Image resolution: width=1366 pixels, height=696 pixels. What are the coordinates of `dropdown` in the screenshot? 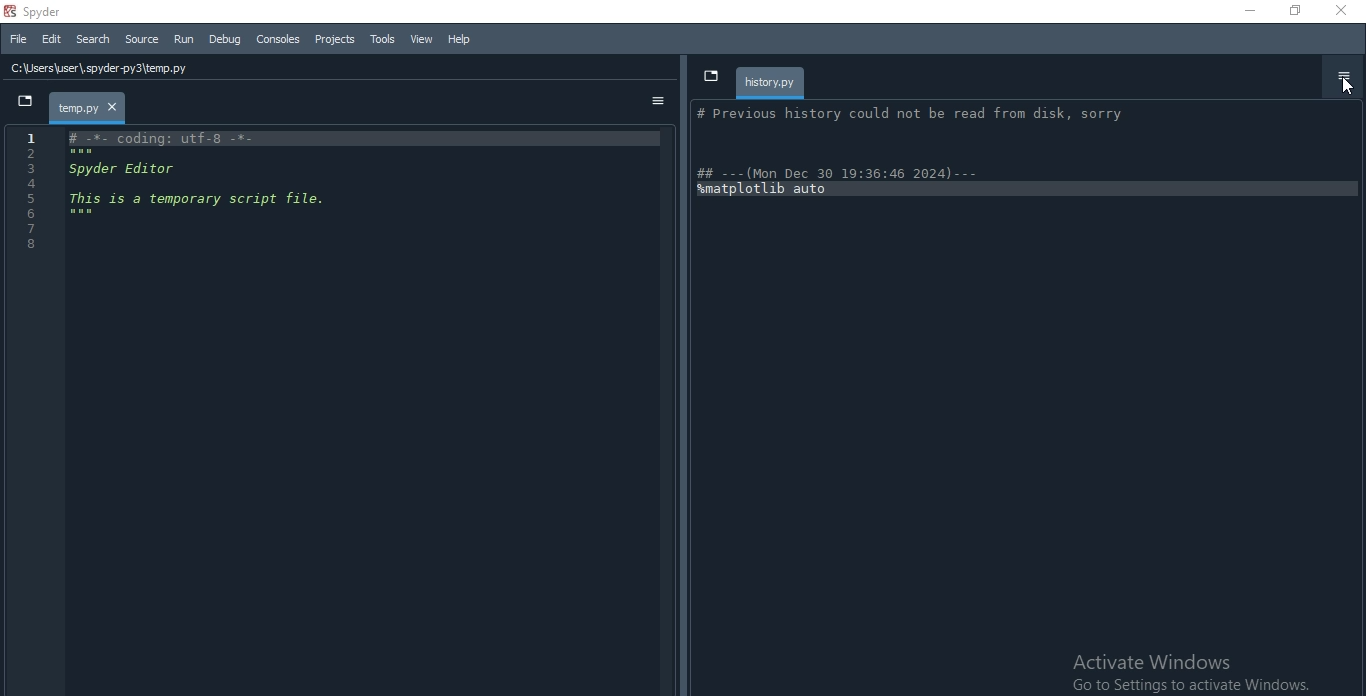 It's located at (711, 75).